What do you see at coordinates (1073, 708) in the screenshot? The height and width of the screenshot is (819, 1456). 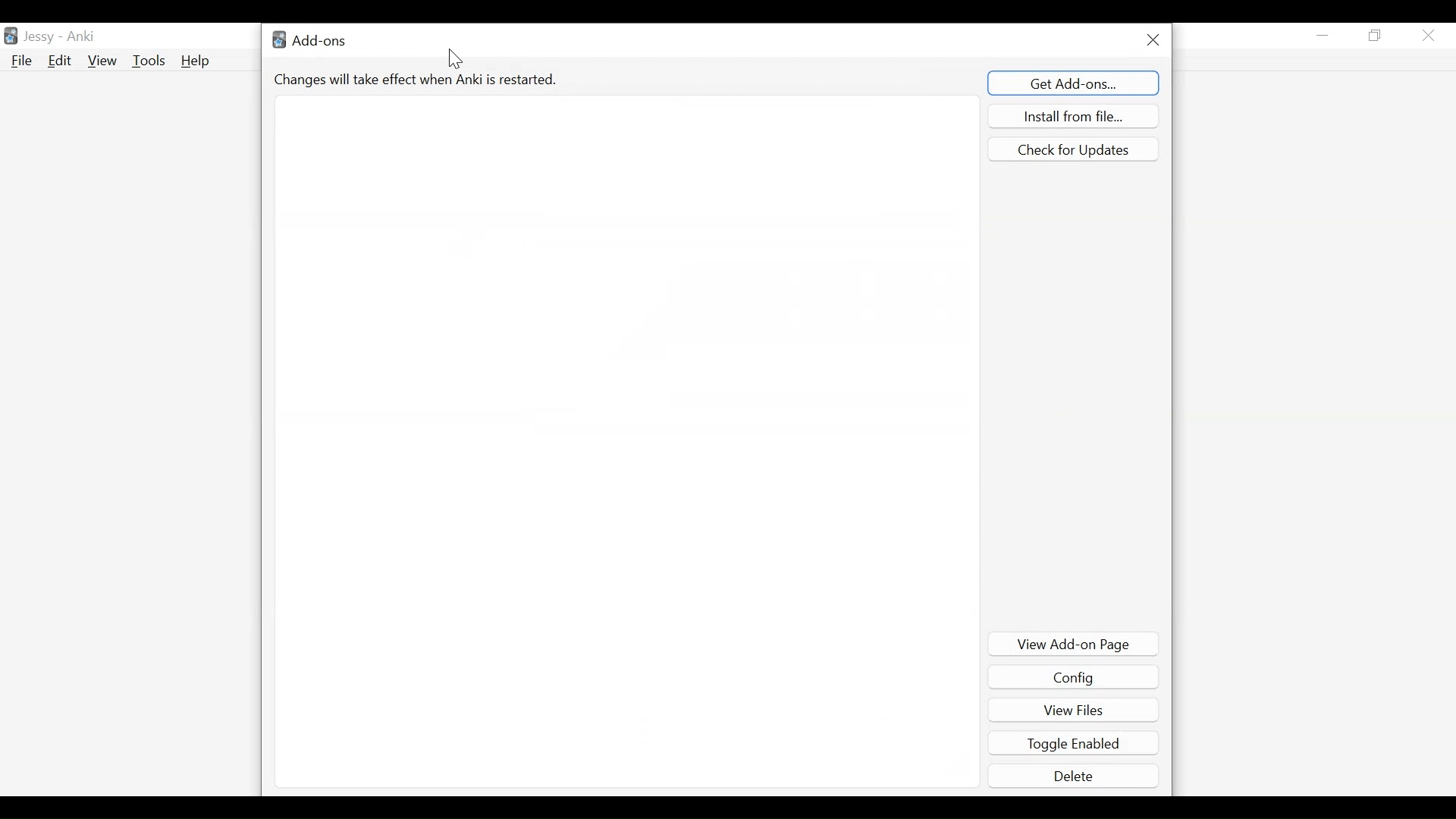 I see `View Files` at bounding box center [1073, 708].